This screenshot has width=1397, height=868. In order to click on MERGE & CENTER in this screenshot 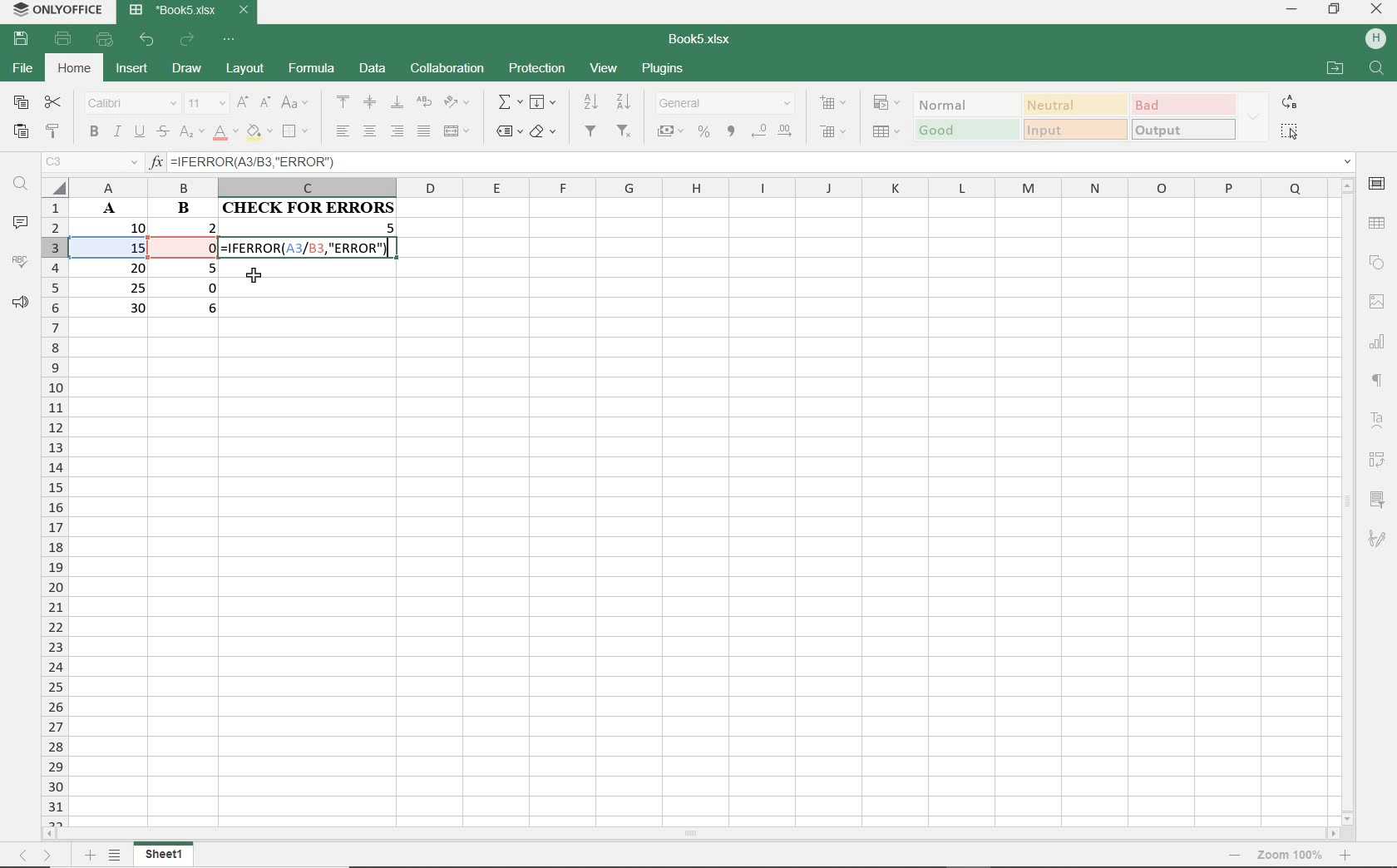, I will do `click(457, 131)`.